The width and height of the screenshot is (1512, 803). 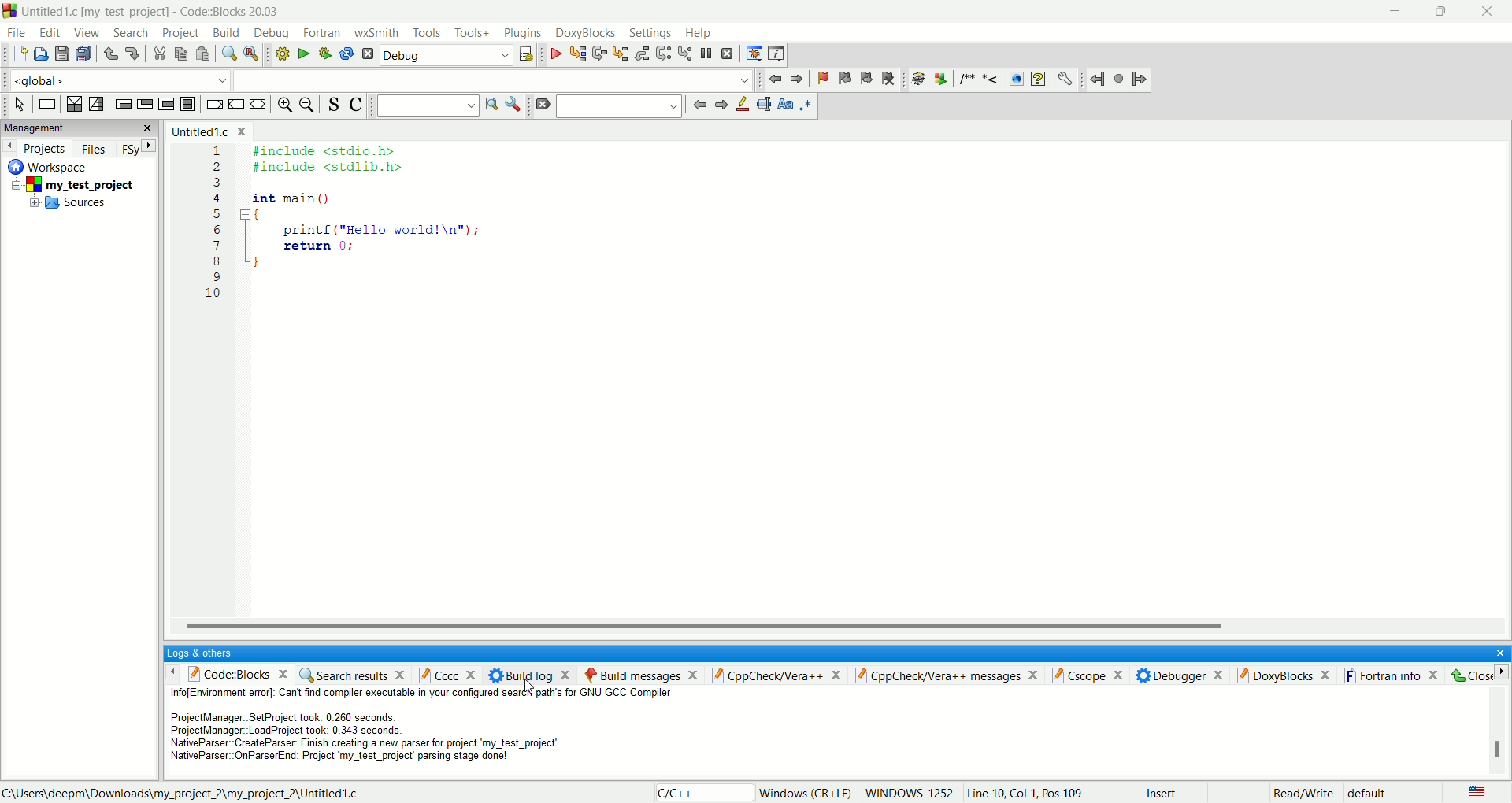 I want to click on cut, so click(x=156, y=54).